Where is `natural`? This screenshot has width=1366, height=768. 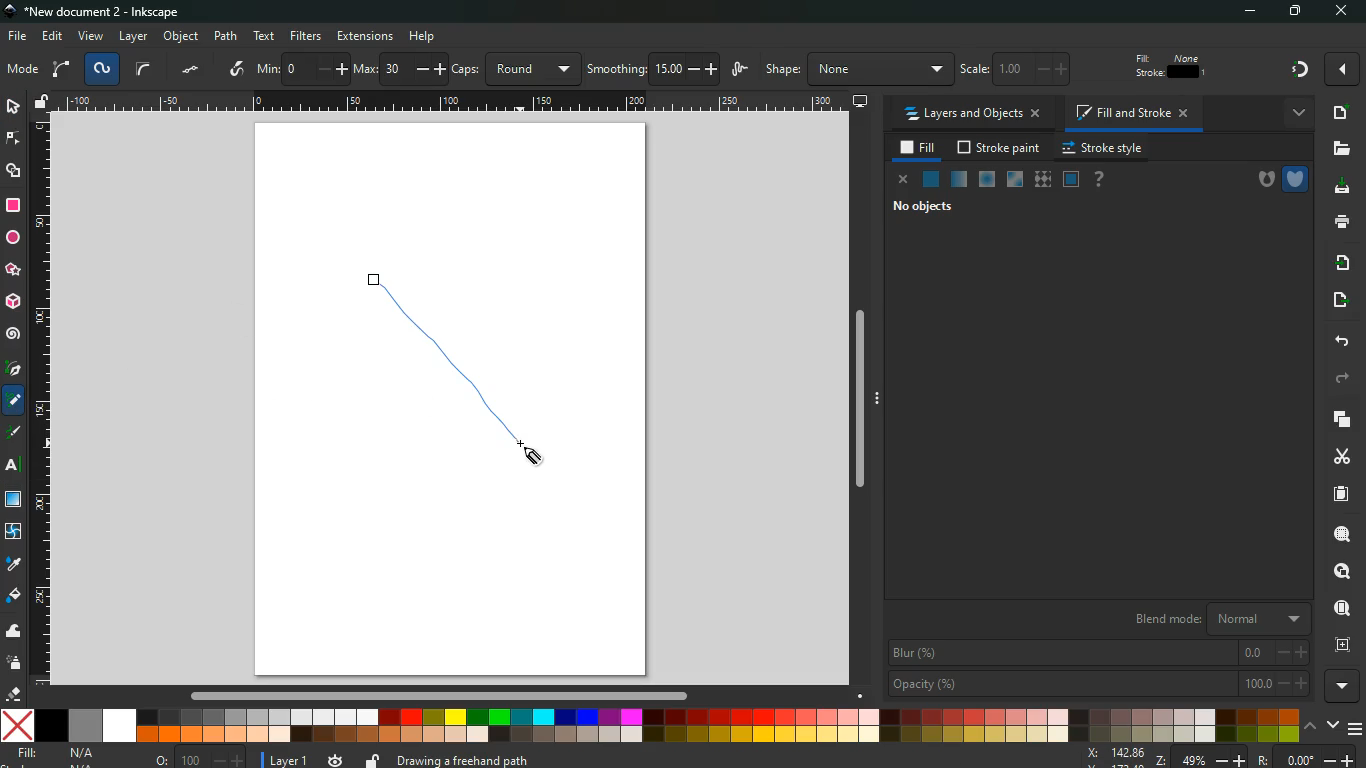 natural is located at coordinates (931, 178).